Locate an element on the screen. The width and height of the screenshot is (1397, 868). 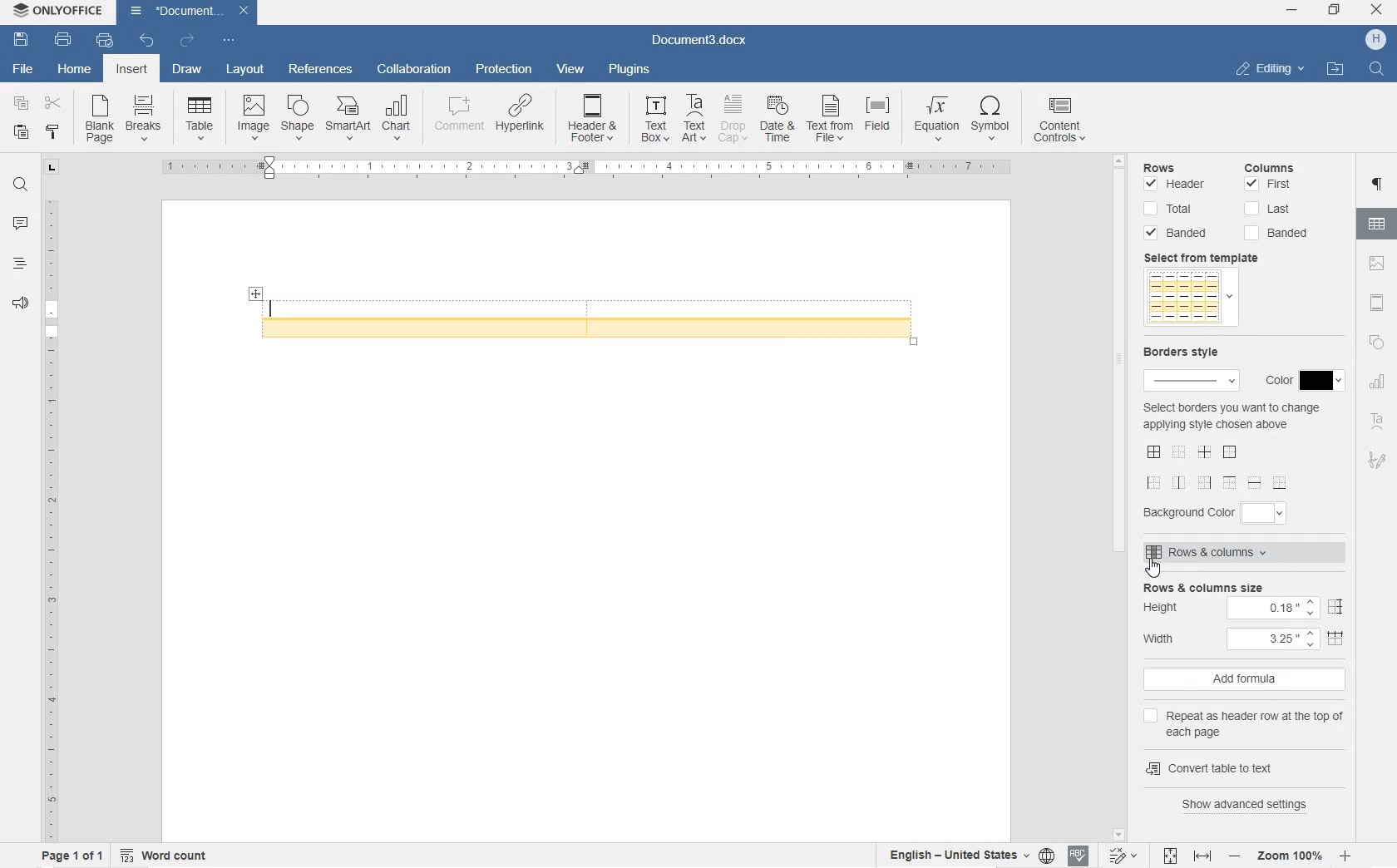
Equation is located at coordinates (936, 117).